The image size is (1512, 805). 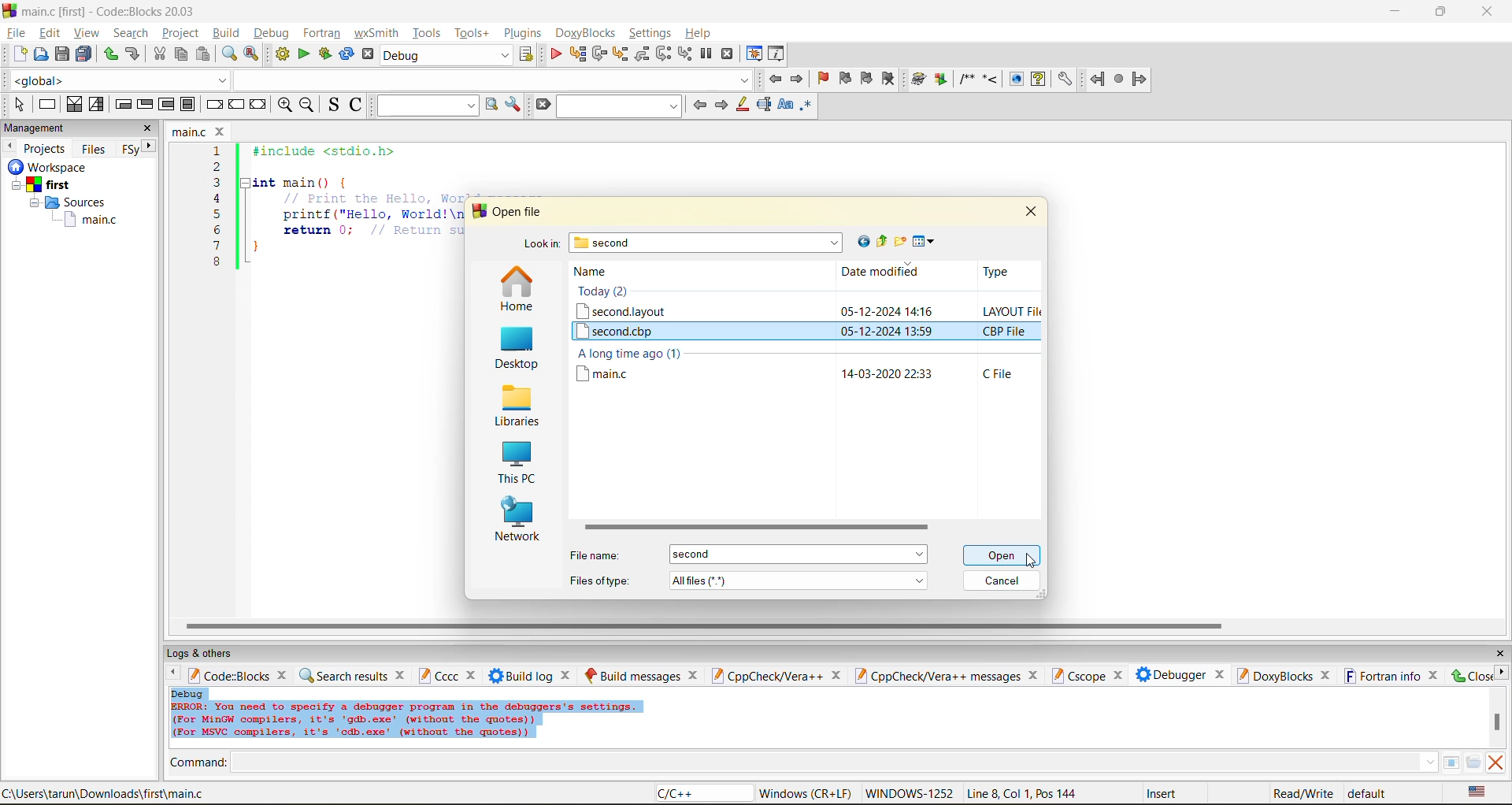 I want to click on undo, so click(x=131, y=54).